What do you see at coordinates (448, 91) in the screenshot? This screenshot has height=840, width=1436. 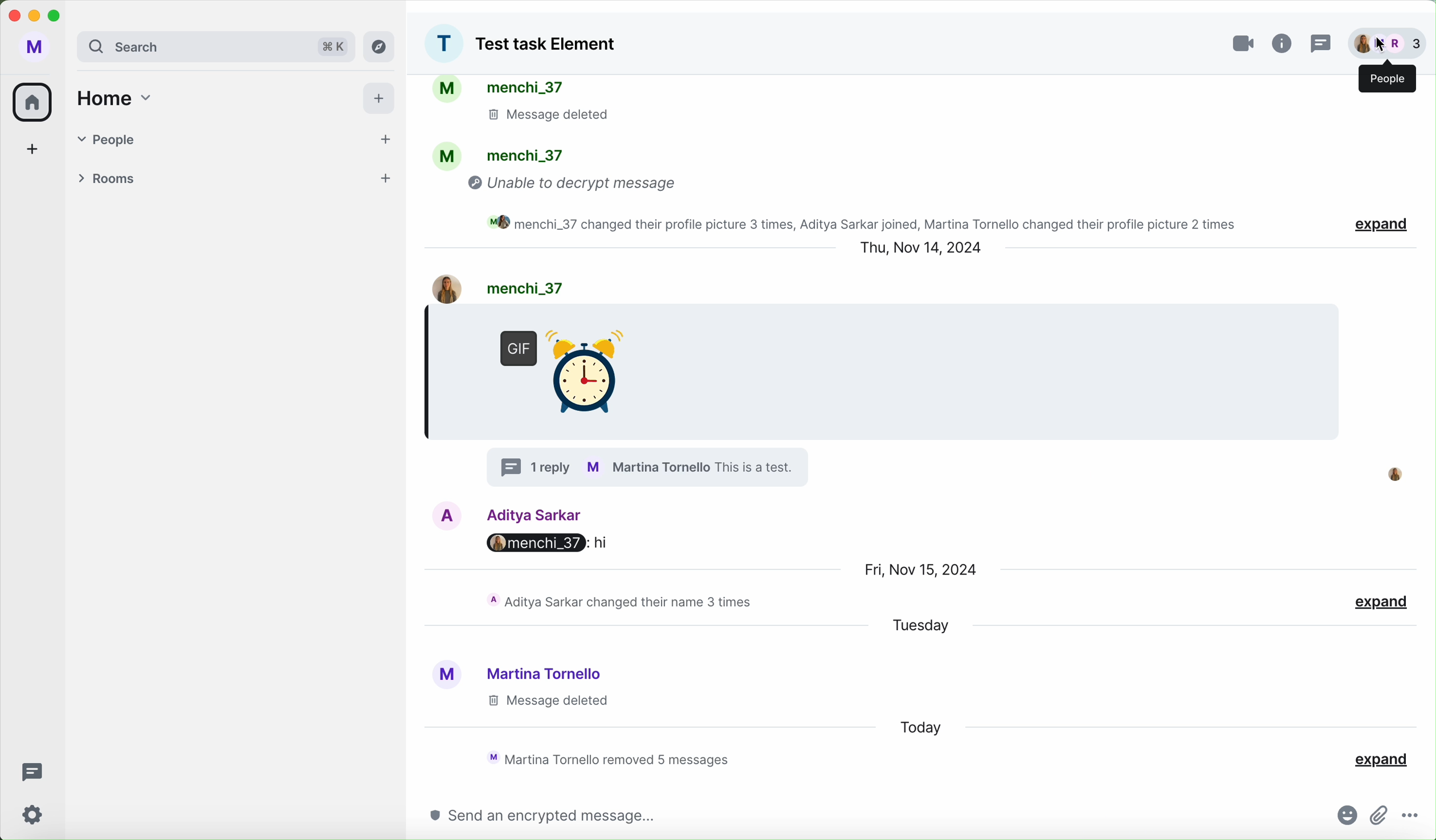 I see `profile` at bounding box center [448, 91].